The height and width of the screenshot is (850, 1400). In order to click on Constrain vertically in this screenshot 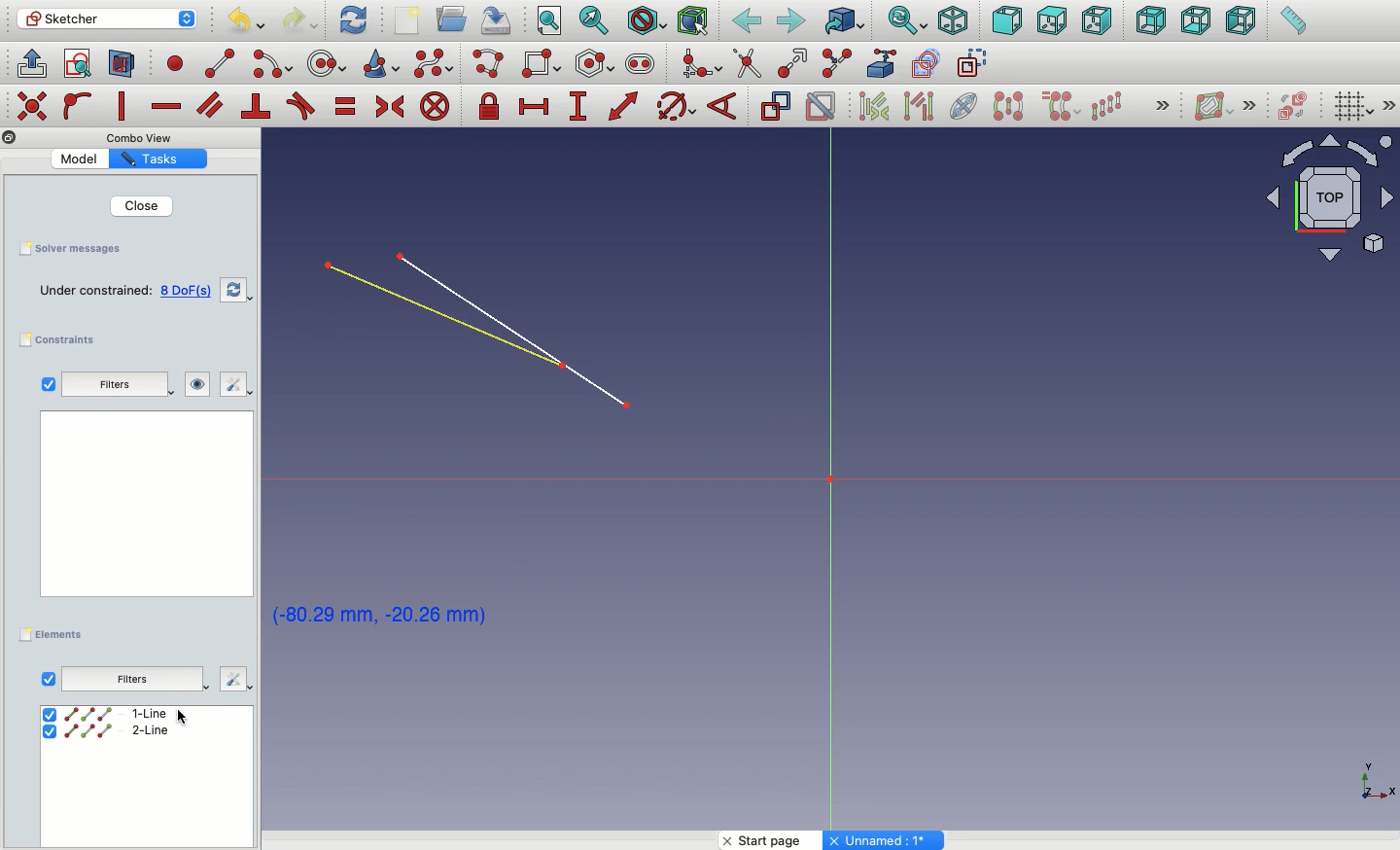, I will do `click(124, 106)`.